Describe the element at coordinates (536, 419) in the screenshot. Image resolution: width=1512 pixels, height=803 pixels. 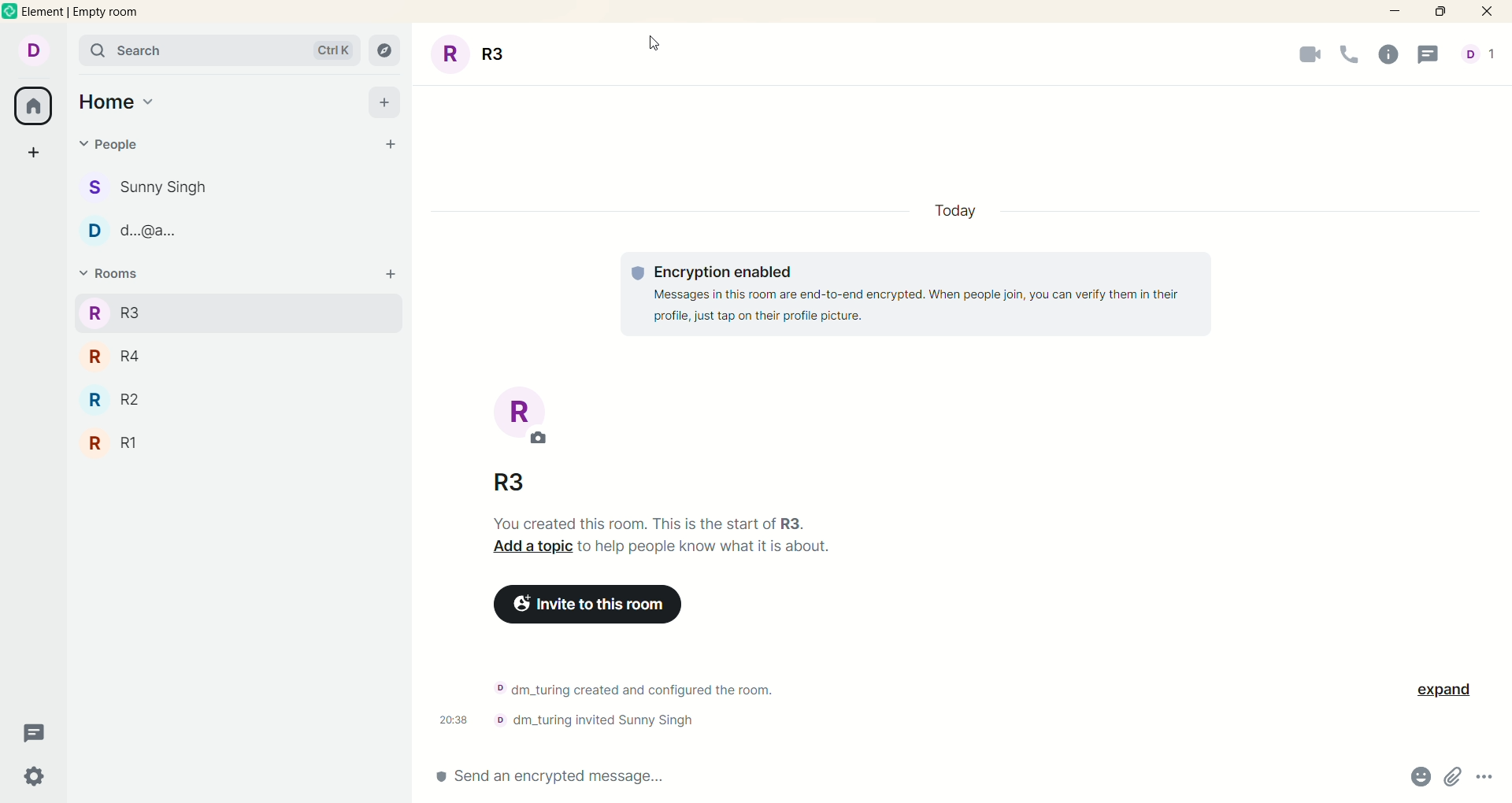
I see `R` at that location.